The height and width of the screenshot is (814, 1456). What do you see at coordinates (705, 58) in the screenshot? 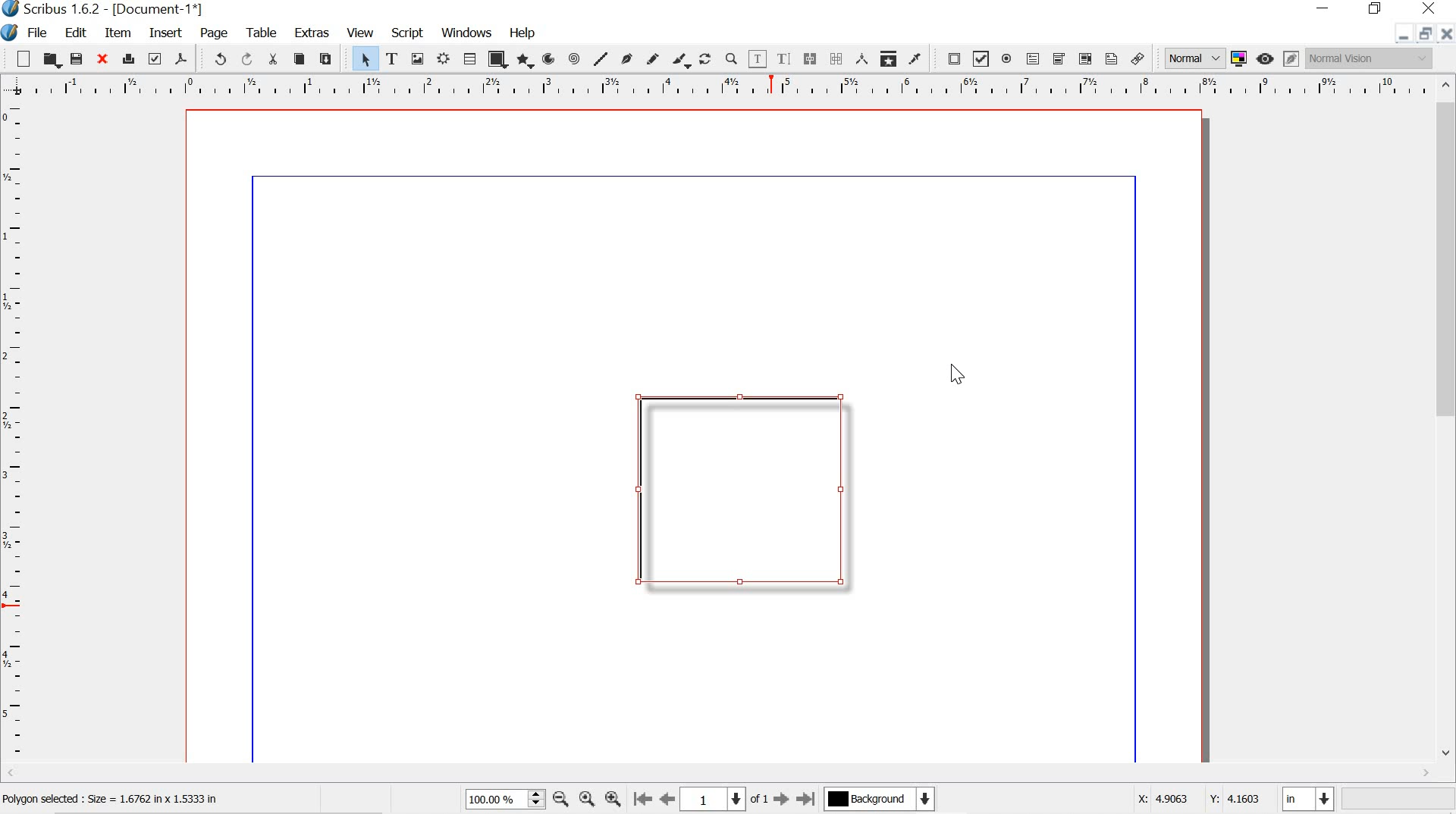
I see `rotate item` at bounding box center [705, 58].